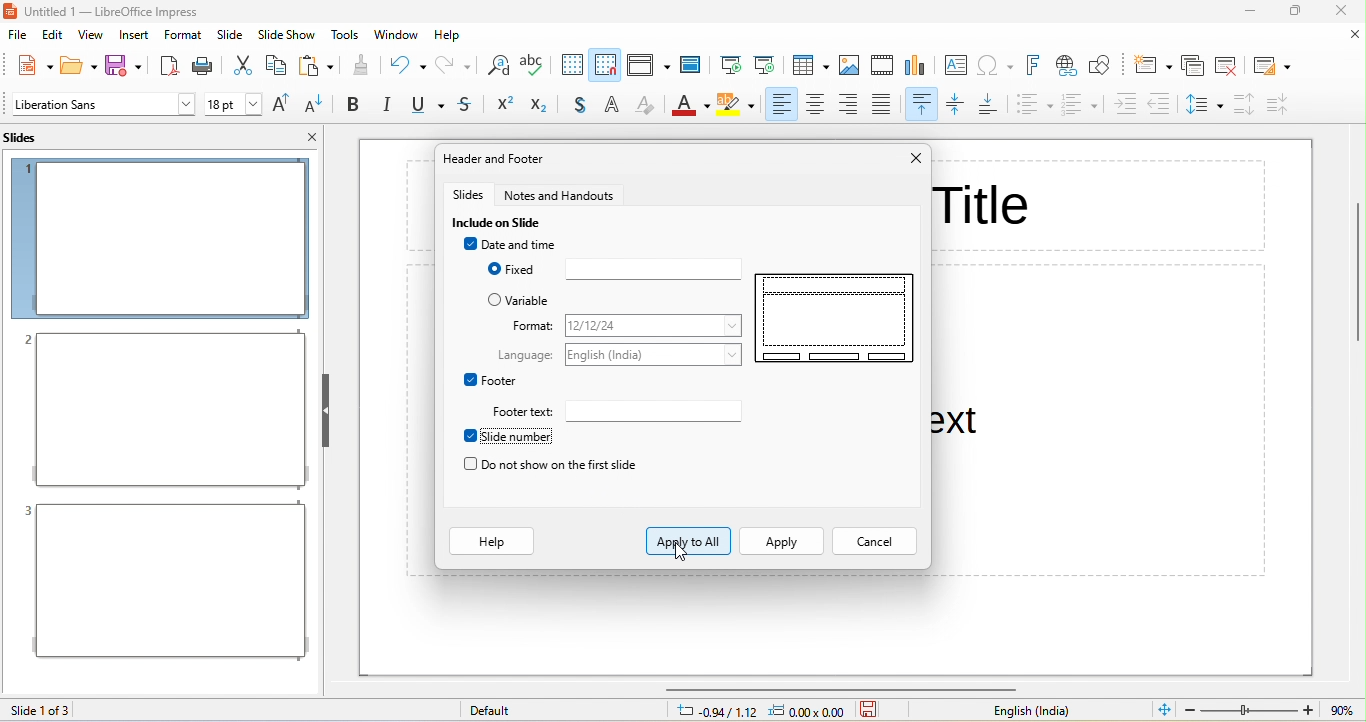  I want to click on help, so click(448, 36).